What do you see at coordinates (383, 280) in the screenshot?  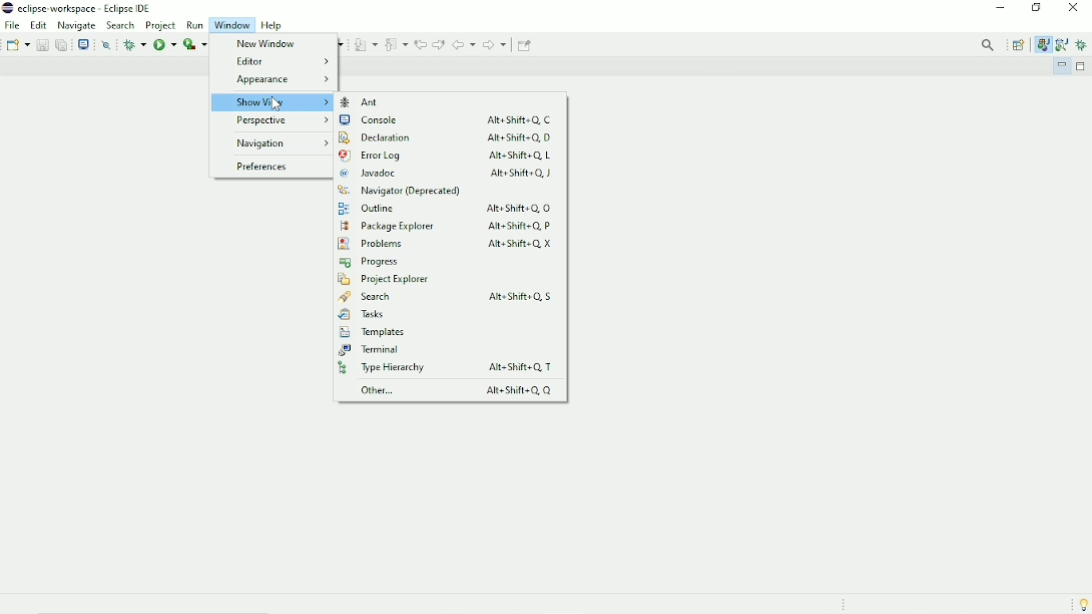 I see `Project Explorer` at bounding box center [383, 280].